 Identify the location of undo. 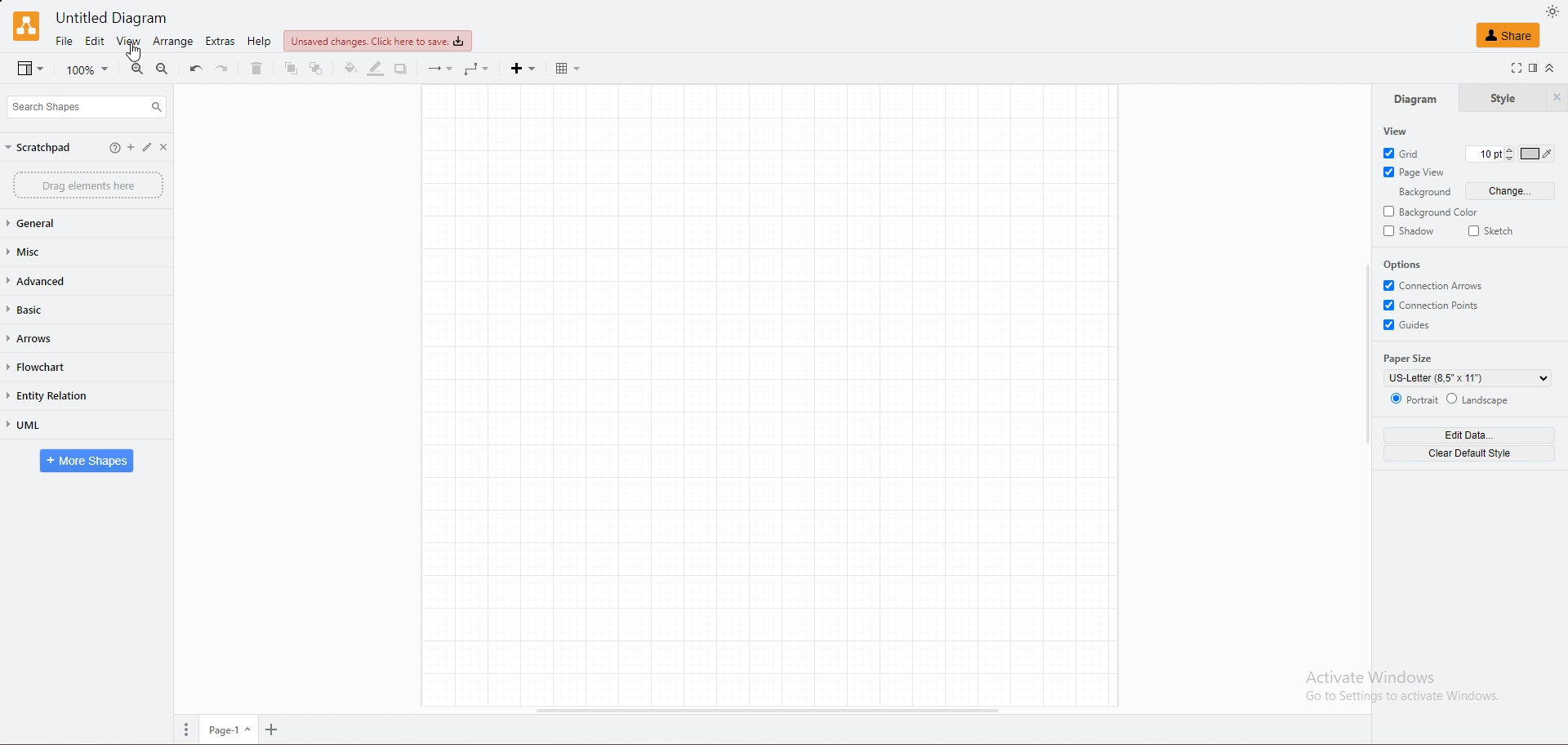
(196, 69).